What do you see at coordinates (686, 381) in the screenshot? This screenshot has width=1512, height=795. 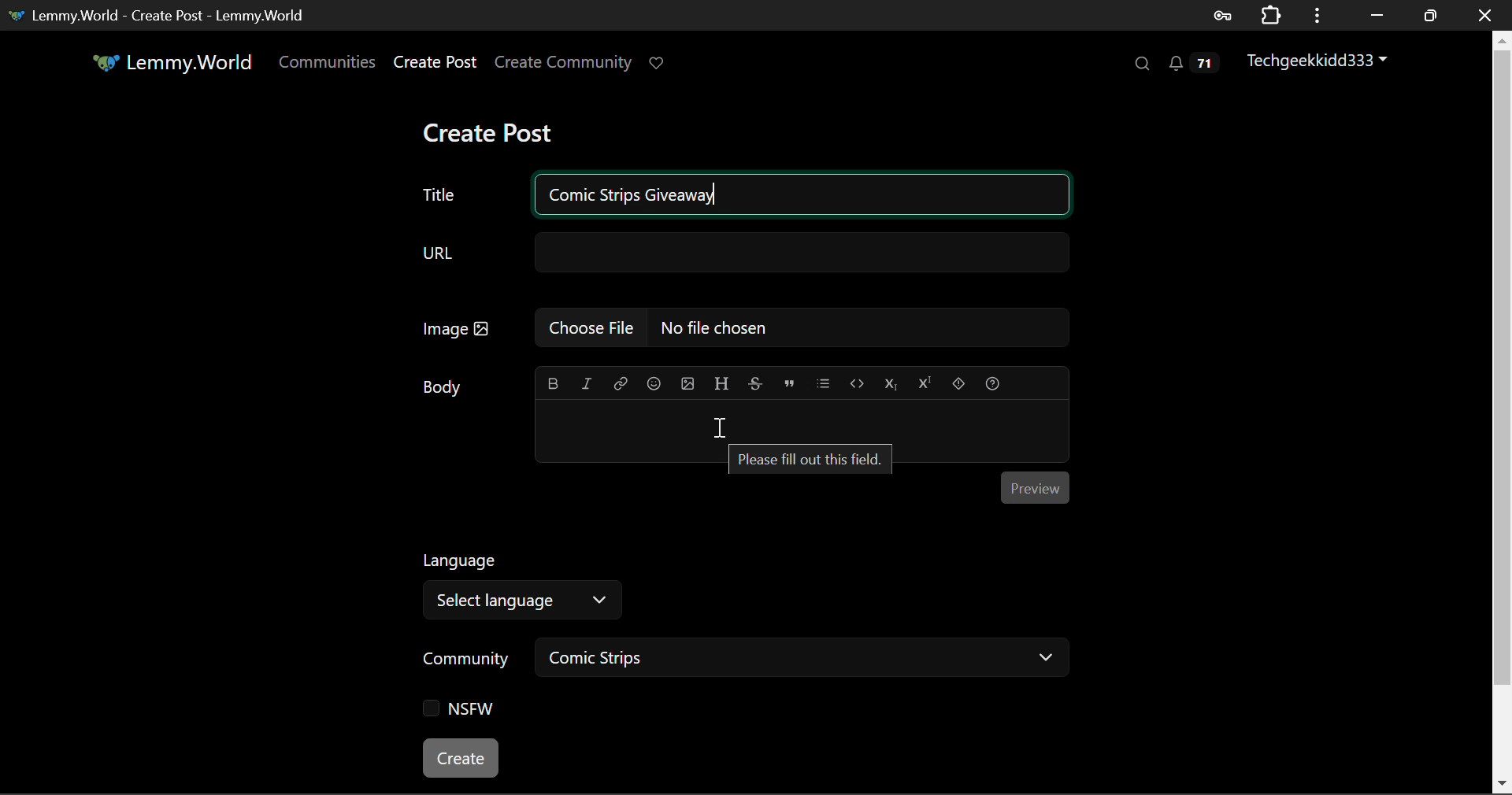 I see `upload image` at bounding box center [686, 381].